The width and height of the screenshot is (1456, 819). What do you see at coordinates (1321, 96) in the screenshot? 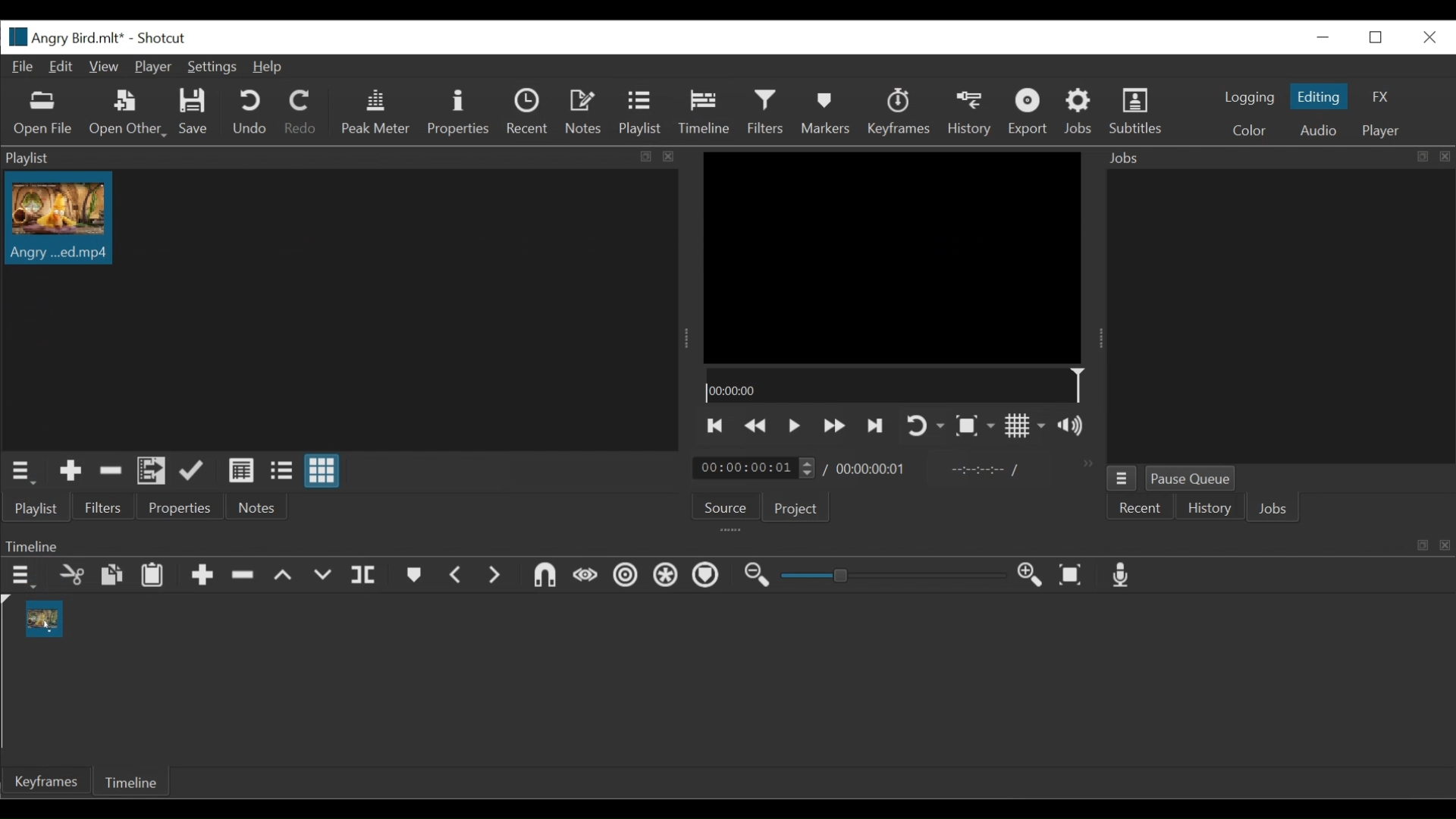
I see `Editing` at bounding box center [1321, 96].